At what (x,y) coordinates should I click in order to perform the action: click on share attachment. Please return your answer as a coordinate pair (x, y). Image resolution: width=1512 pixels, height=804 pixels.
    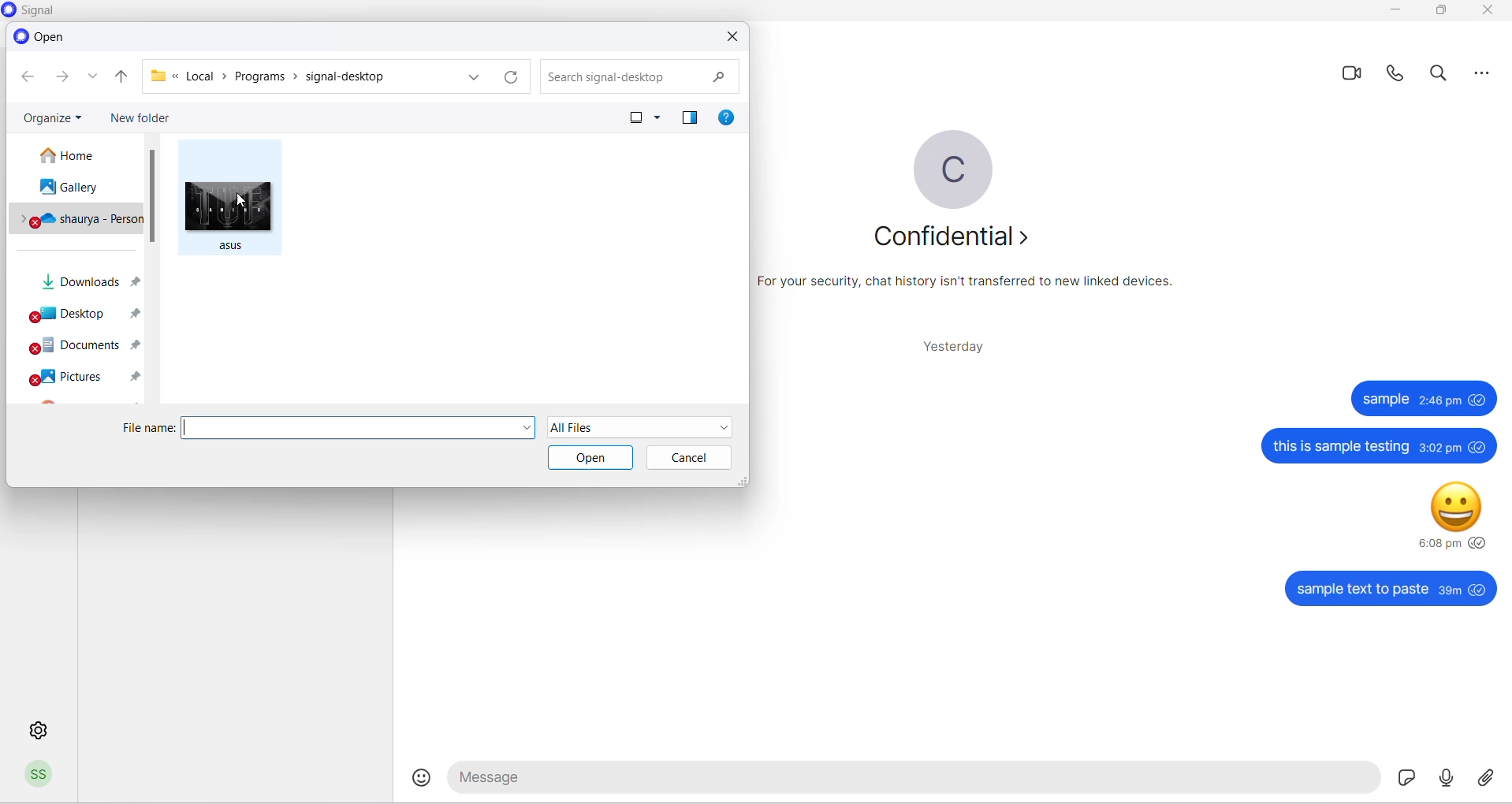
    Looking at the image, I should click on (1487, 778).